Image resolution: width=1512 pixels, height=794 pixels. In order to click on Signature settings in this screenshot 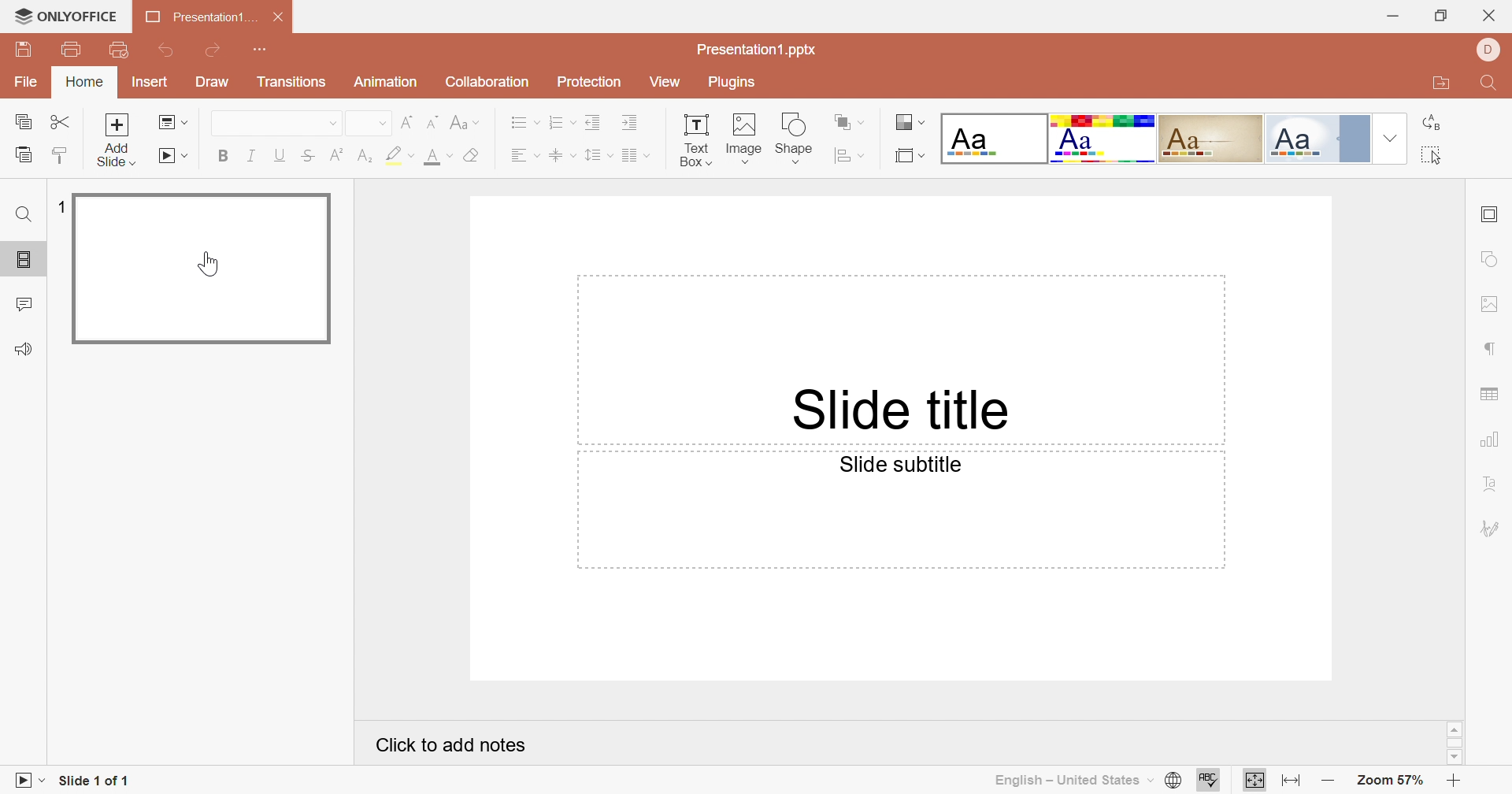, I will do `click(1492, 525)`.